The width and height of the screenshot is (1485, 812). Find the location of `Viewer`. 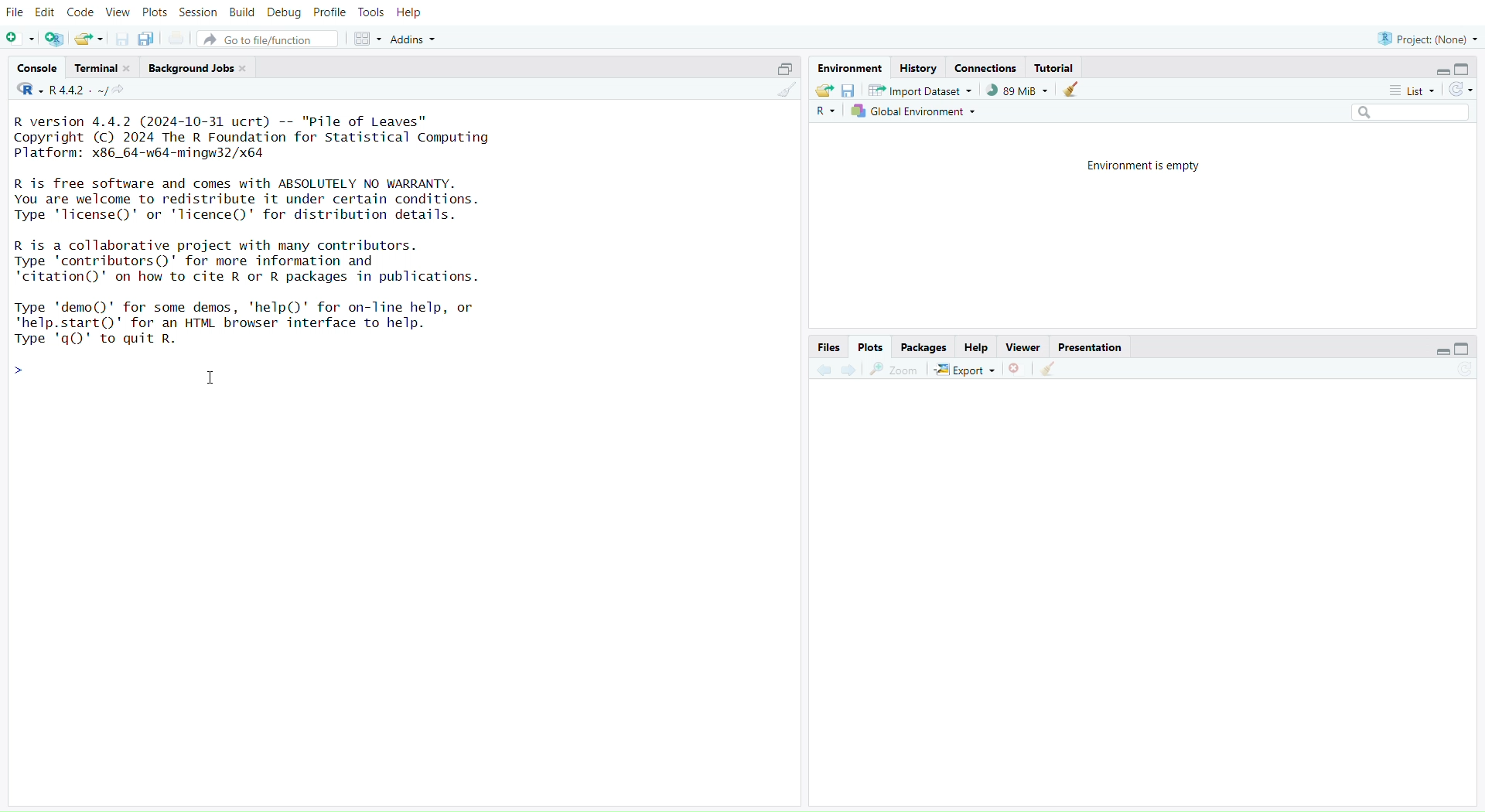

Viewer is located at coordinates (1021, 346).